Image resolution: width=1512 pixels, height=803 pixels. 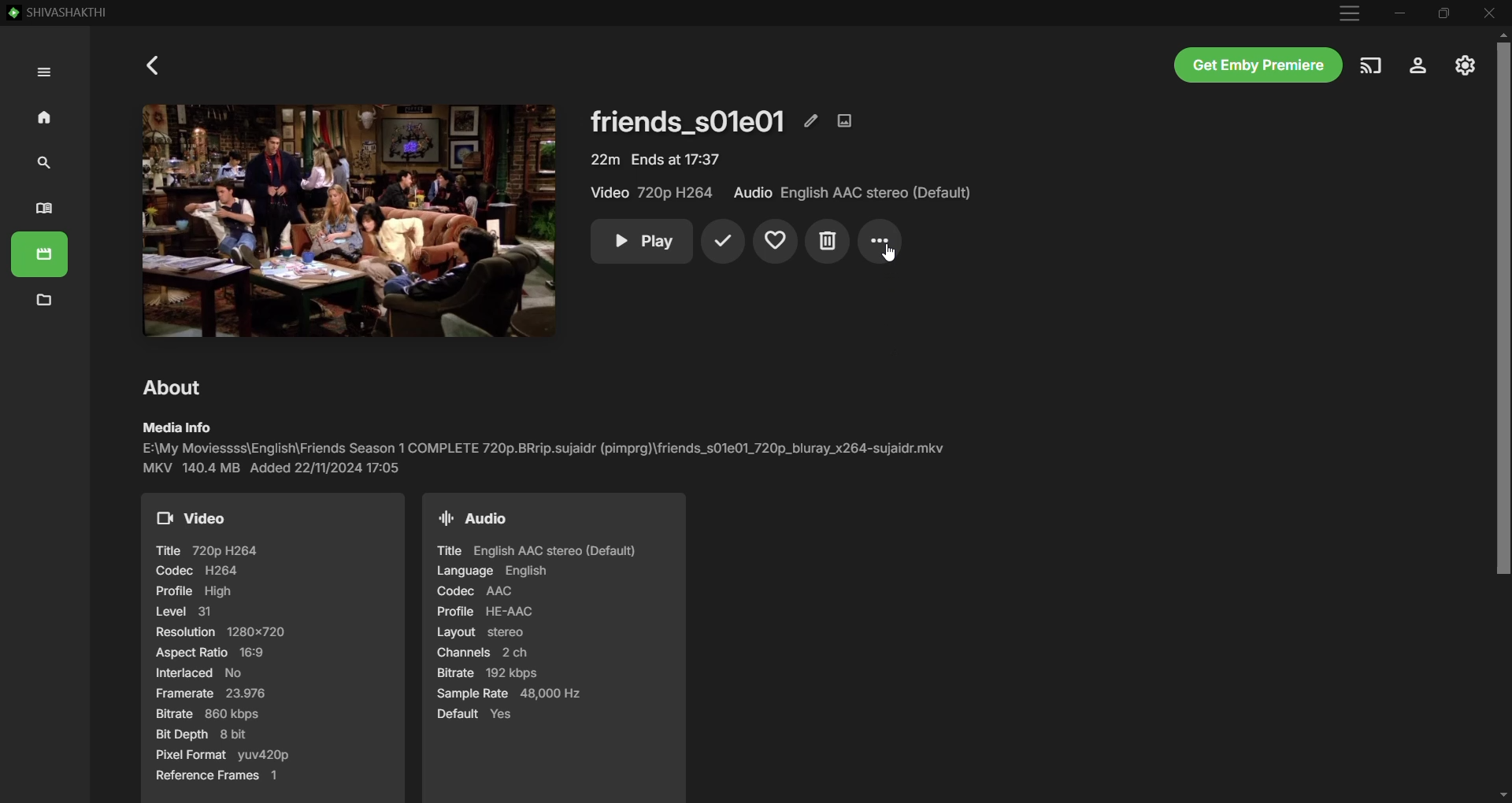 What do you see at coordinates (58, 13) in the screenshot?
I see `SHIVASHAKTHI - Emby App Server Name` at bounding box center [58, 13].